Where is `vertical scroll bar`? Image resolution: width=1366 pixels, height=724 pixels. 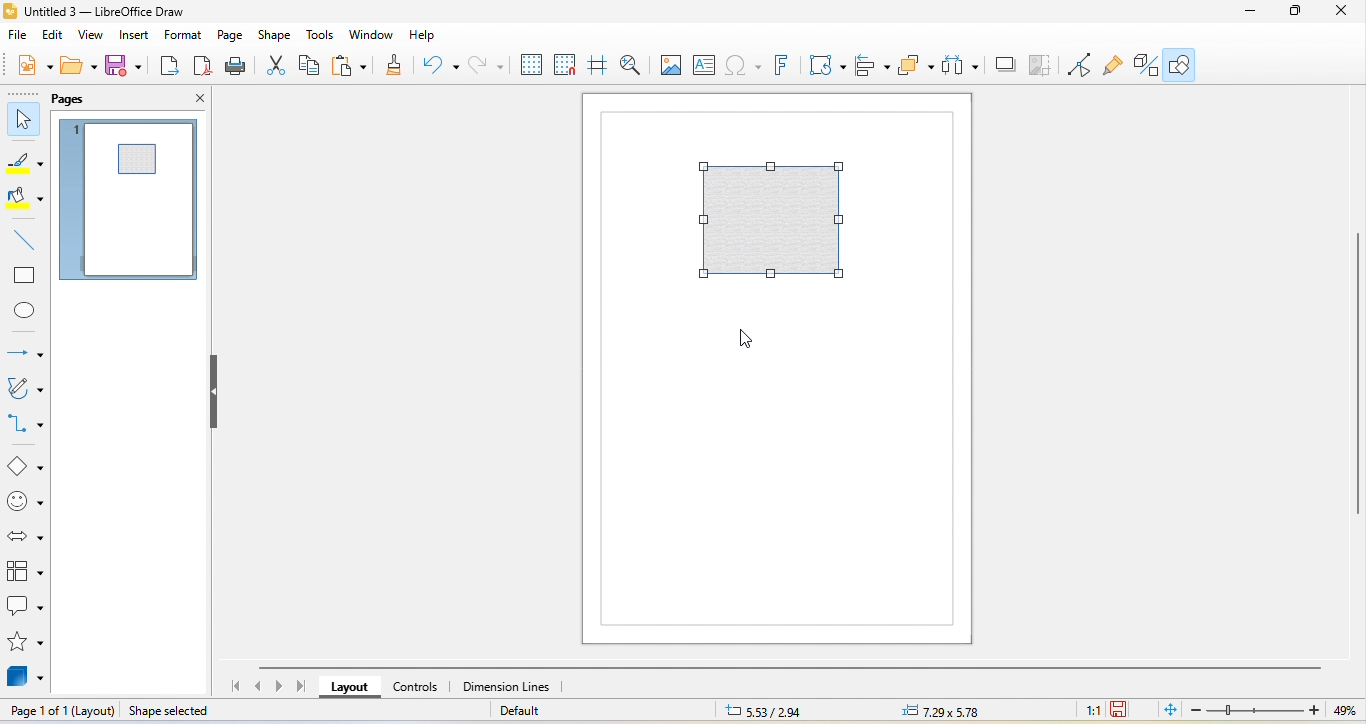 vertical scroll bar is located at coordinates (1357, 375).